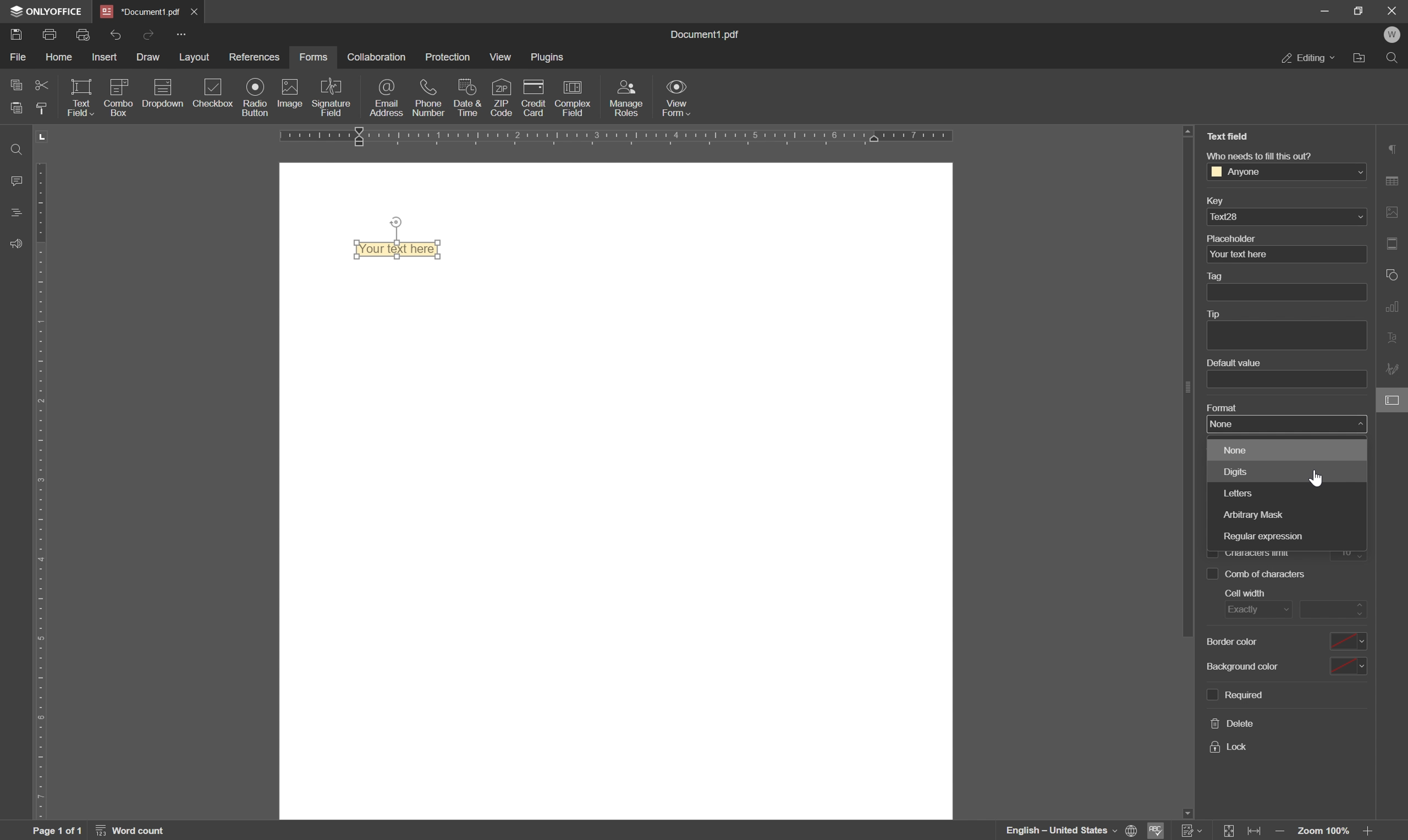 This screenshot has height=840, width=1408. Describe the element at coordinates (1264, 155) in the screenshot. I see `Who needs to fill this out?` at that location.